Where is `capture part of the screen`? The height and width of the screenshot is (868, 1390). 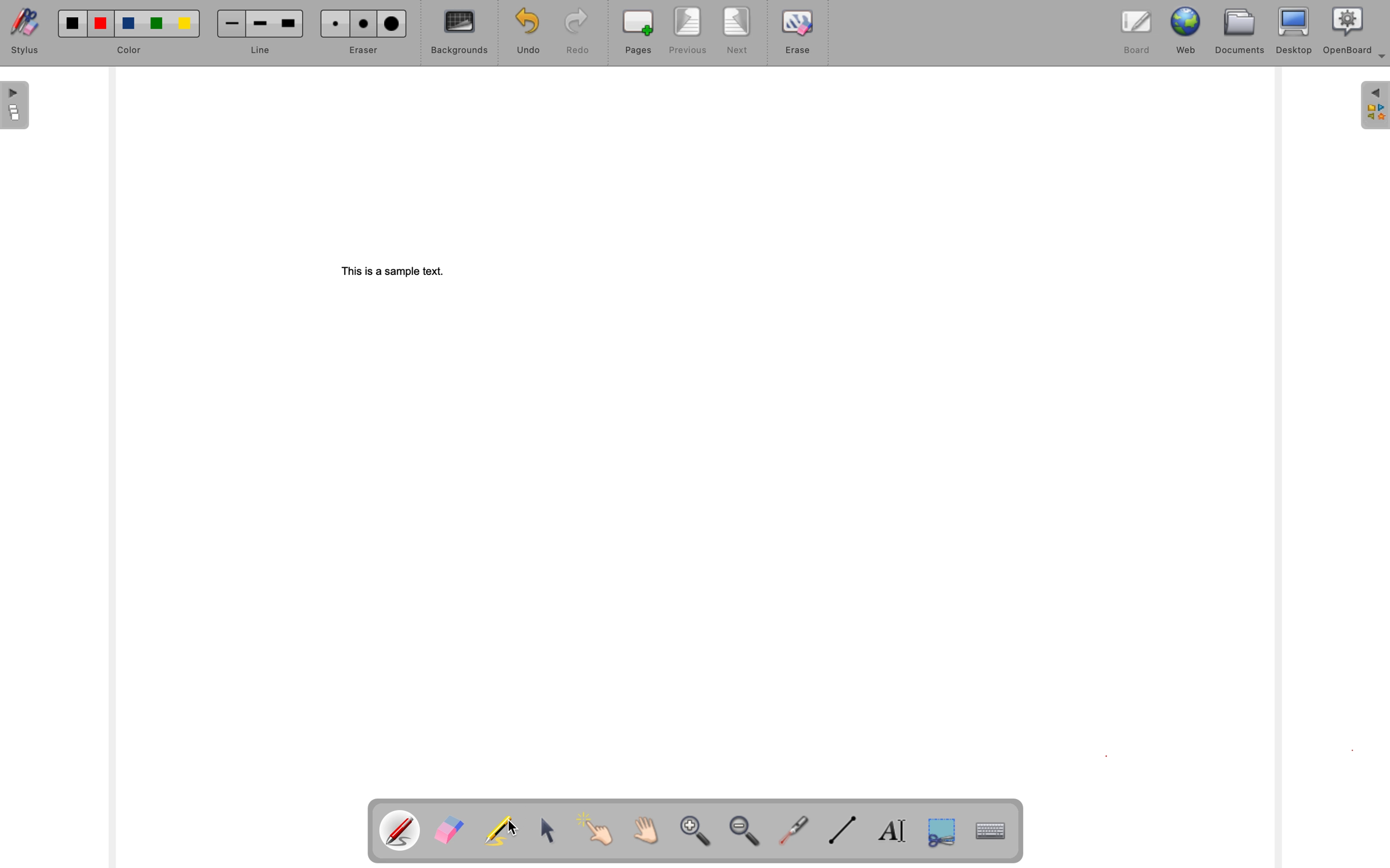 capture part of the screen is located at coordinates (941, 831).